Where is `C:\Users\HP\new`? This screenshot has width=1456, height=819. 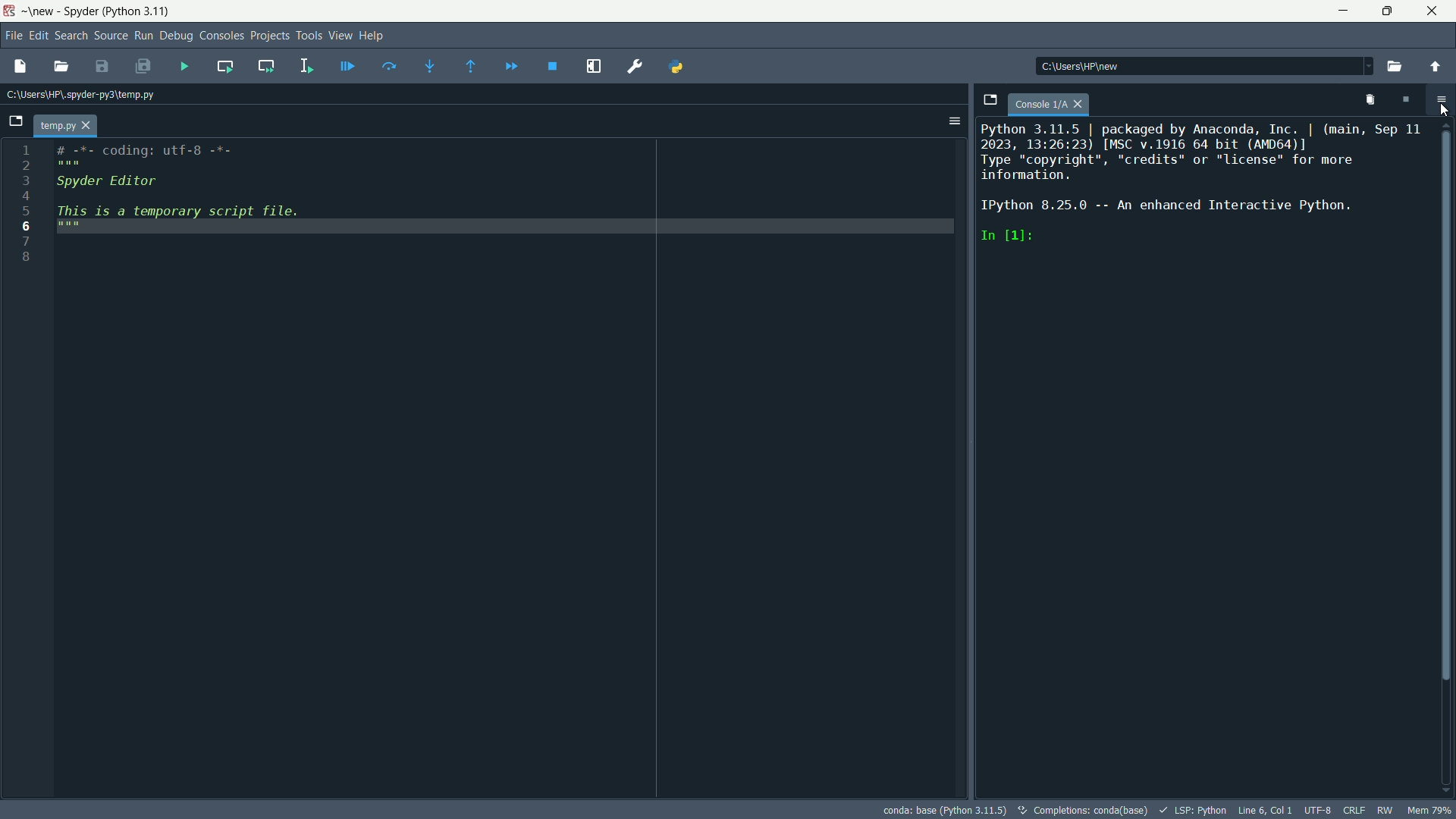 C:\Users\HP\new is located at coordinates (1109, 67).